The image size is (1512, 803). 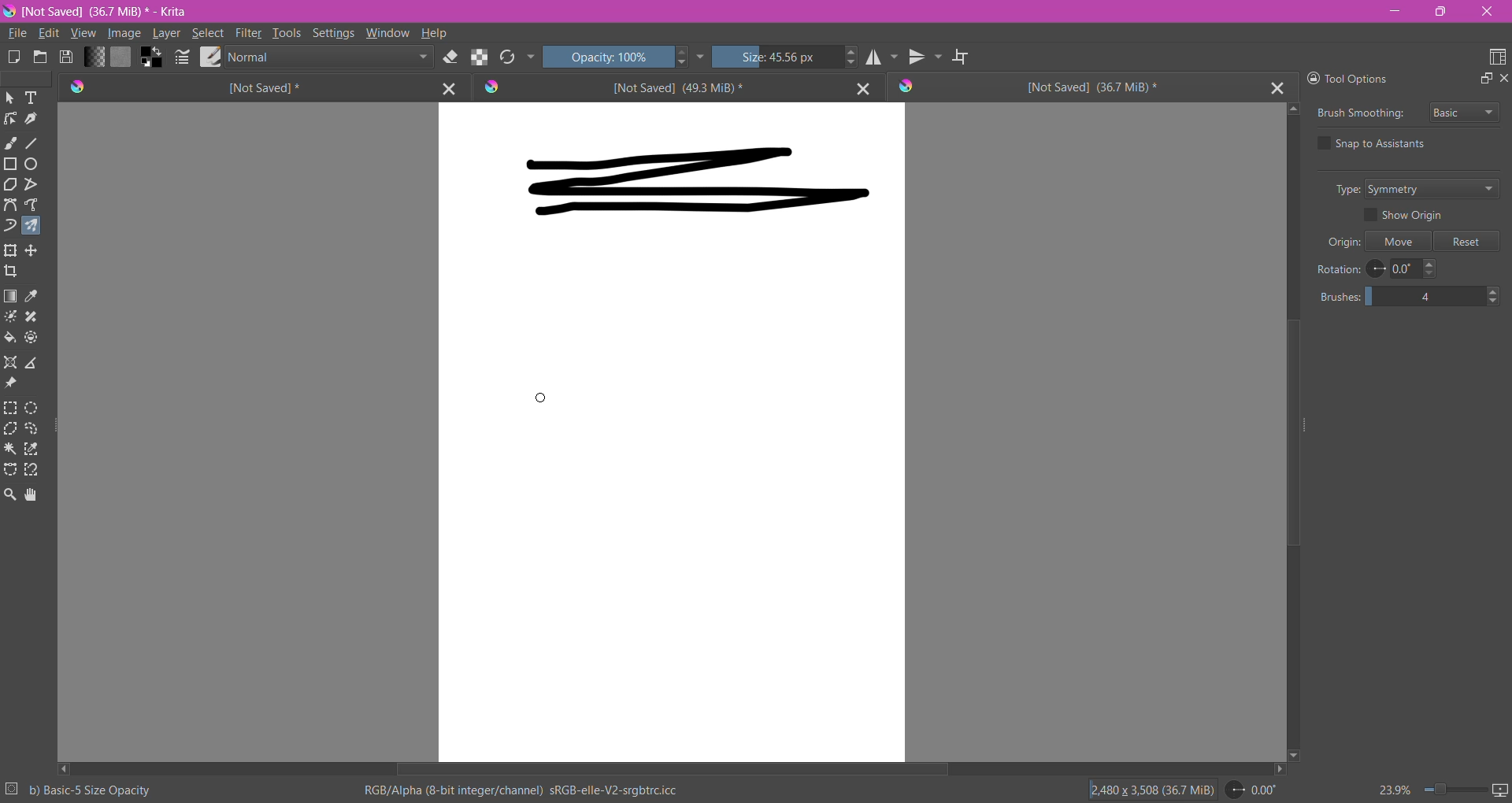 What do you see at coordinates (1428, 790) in the screenshot?
I see `Zoom Control` at bounding box center [1428, 790].